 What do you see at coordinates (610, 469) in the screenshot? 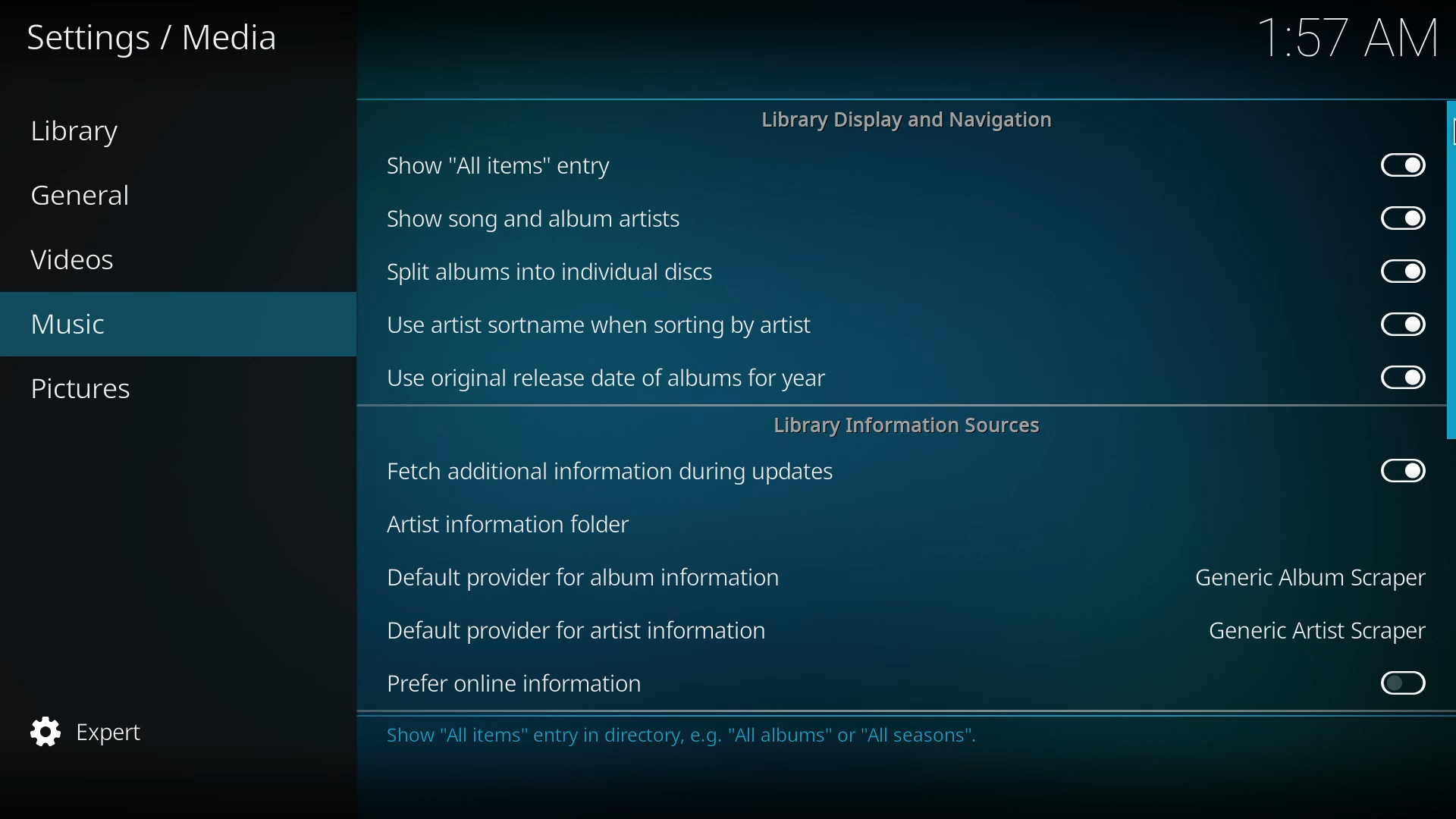
I see `fetch additional info during updates` at bounding box center [610, 469].